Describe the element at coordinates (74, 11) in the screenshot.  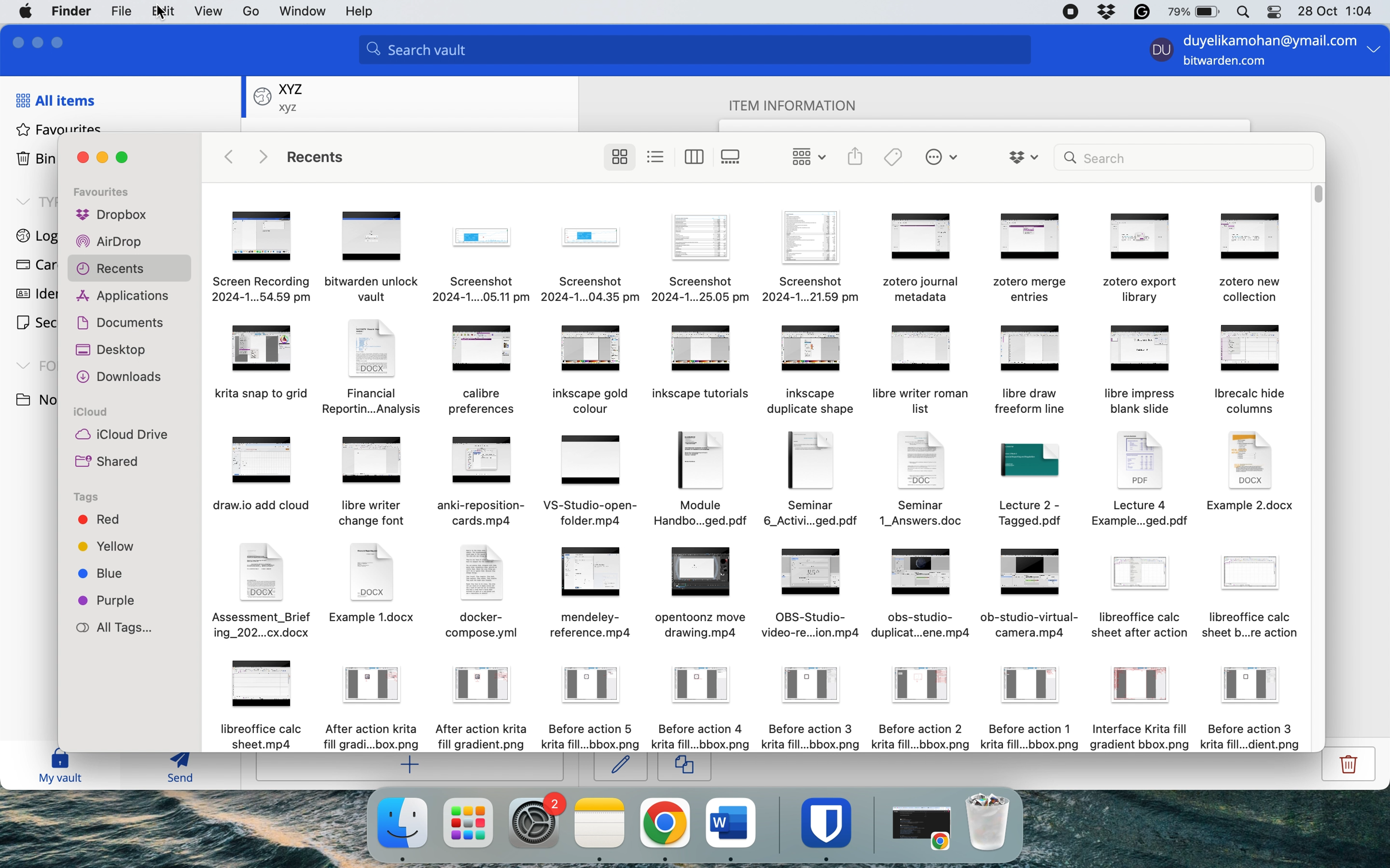
I see `finder` at that location.